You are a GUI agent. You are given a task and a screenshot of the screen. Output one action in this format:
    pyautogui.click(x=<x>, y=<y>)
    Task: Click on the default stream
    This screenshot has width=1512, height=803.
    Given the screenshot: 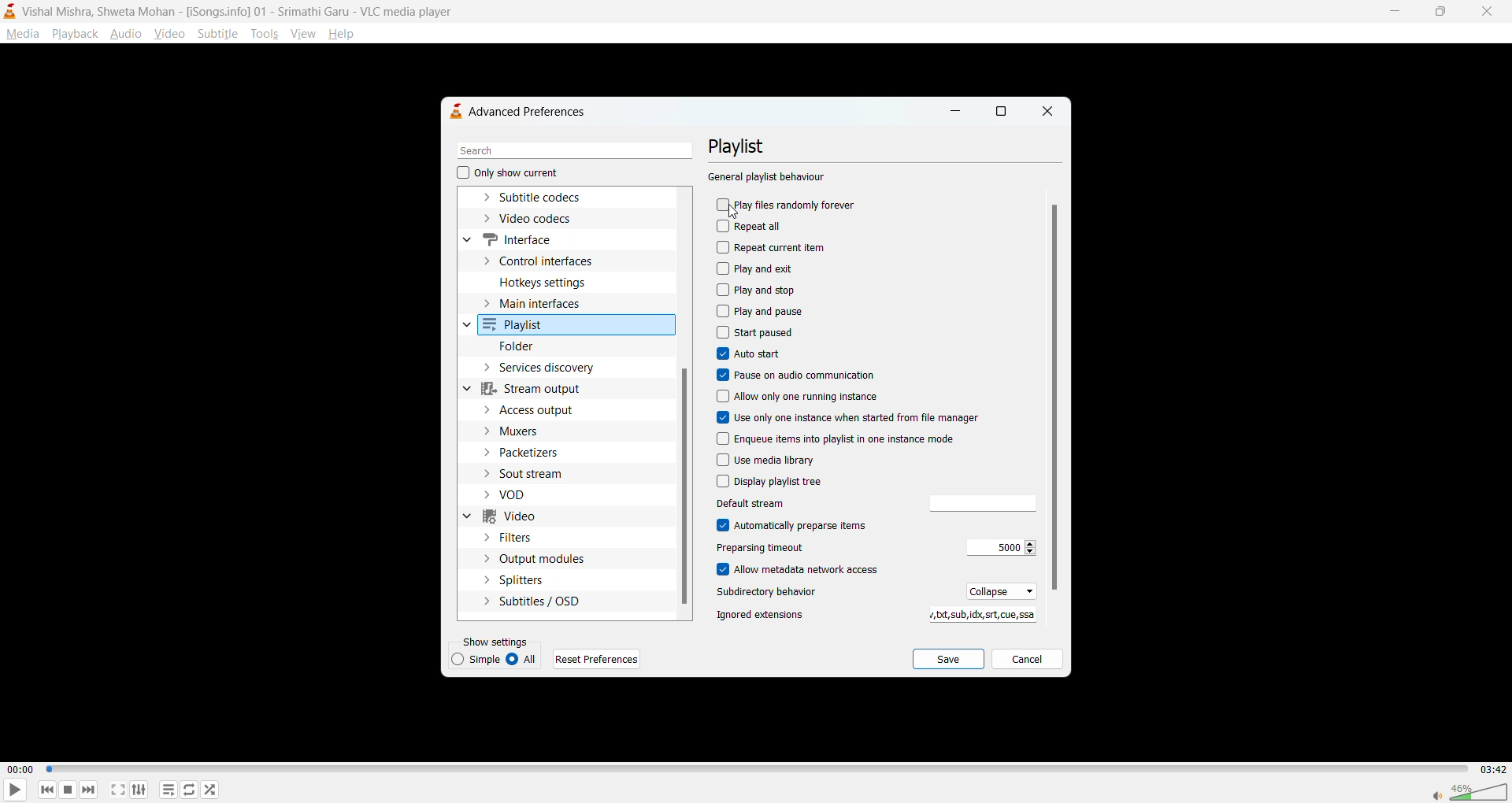 What is the action you would take?
    pyautogui.click(x=977, y=504)
    